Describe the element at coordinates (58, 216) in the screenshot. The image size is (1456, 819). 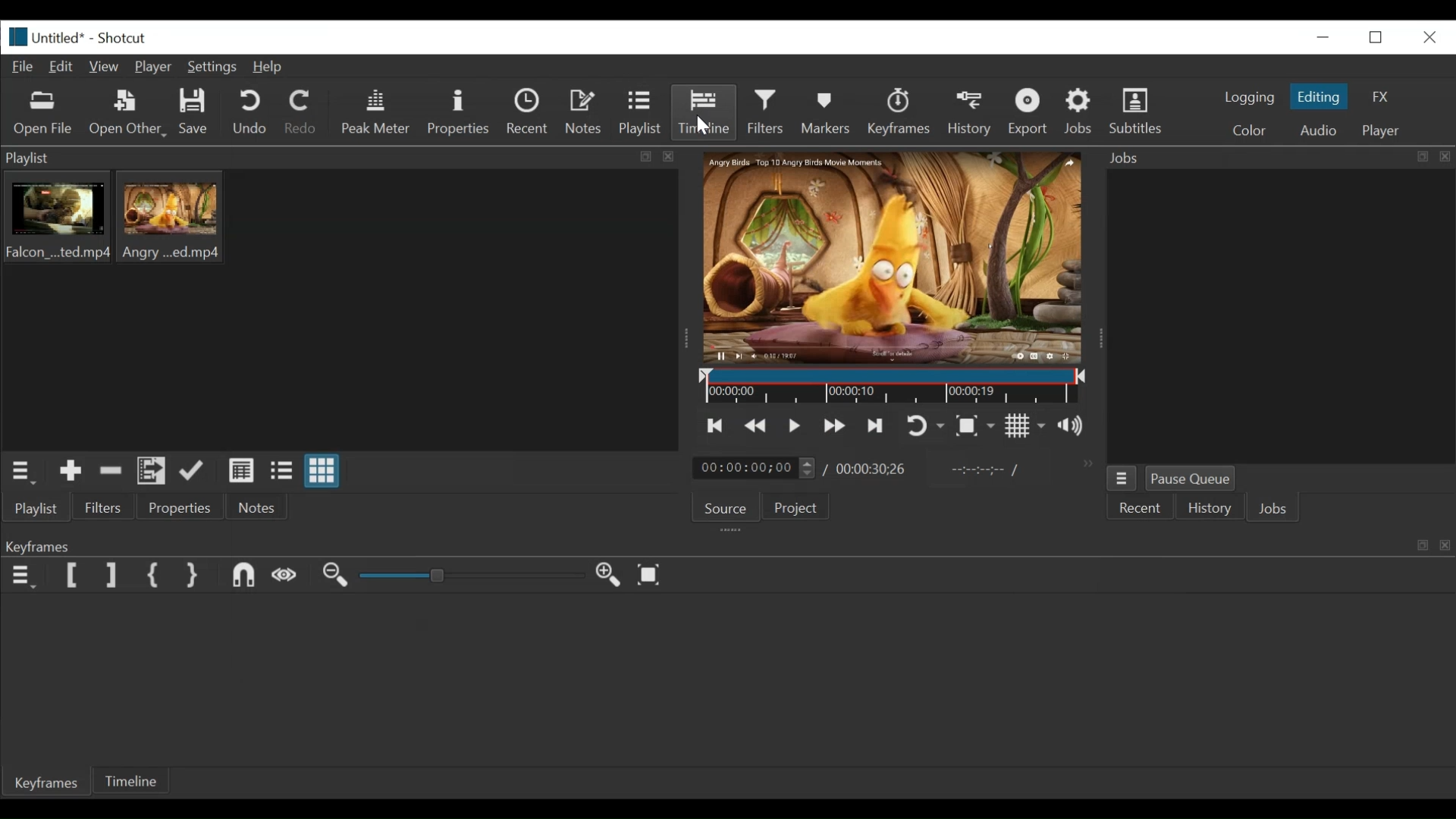
I see `clips` at that location.